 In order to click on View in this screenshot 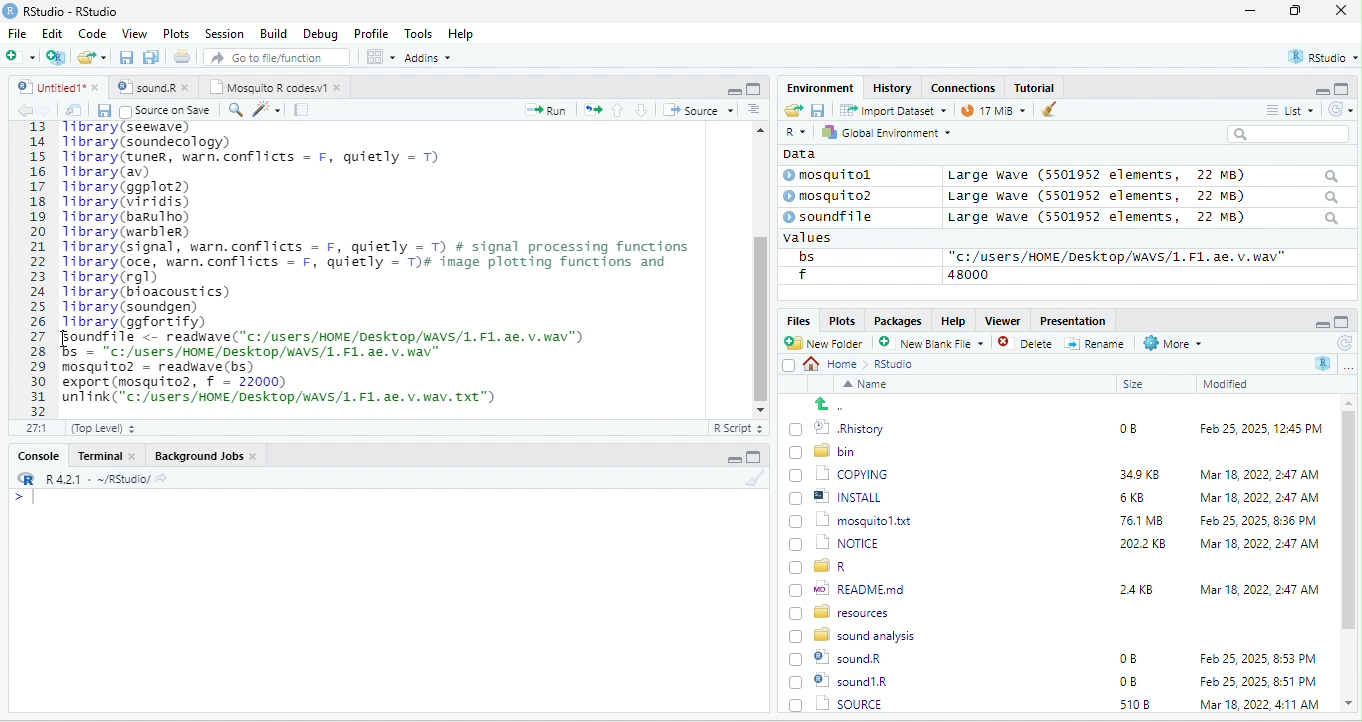, I will do `click(133, 35)`.